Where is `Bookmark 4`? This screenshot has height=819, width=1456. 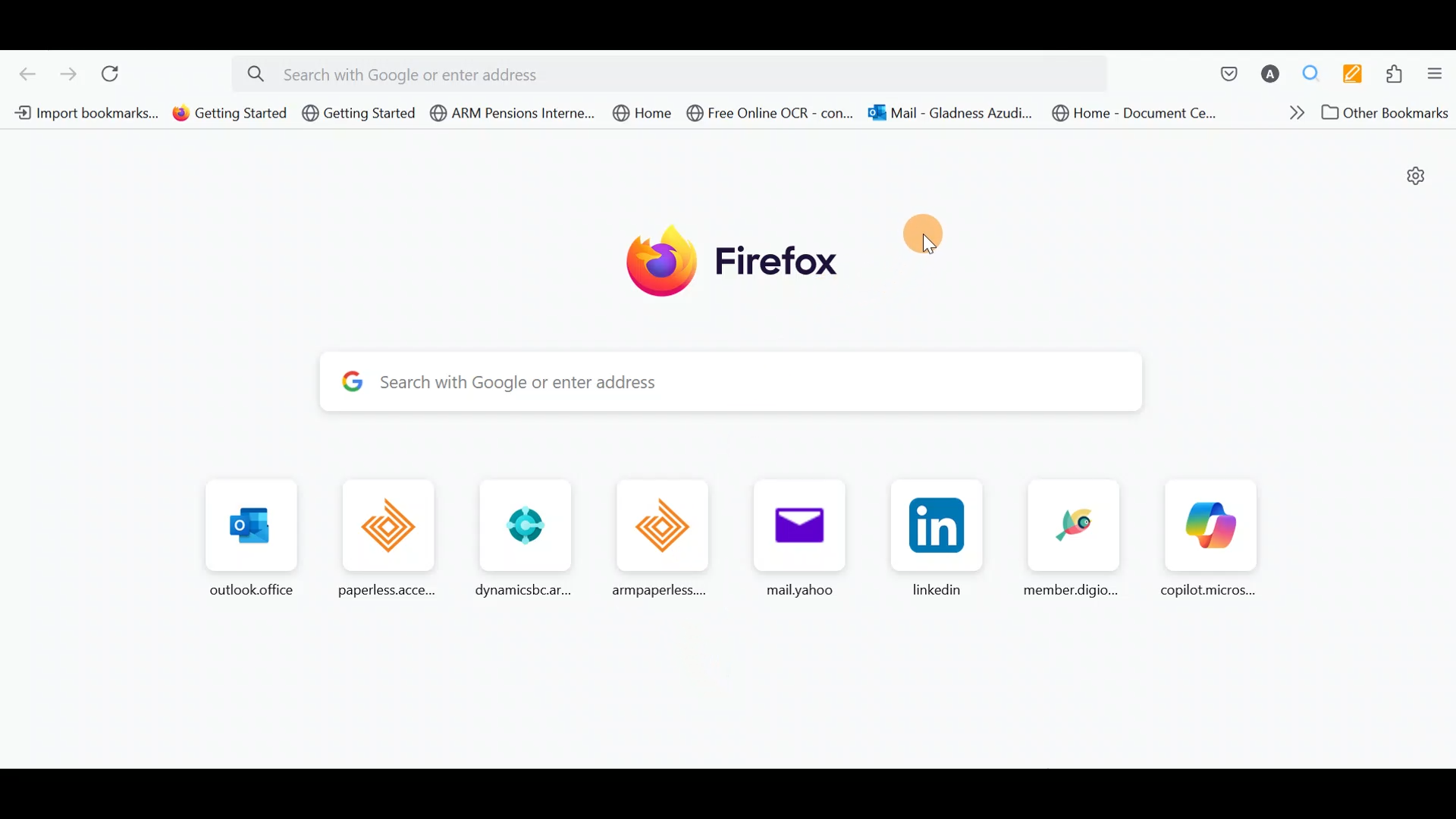
Bookmark 4 is located at coordinates (512, 113).